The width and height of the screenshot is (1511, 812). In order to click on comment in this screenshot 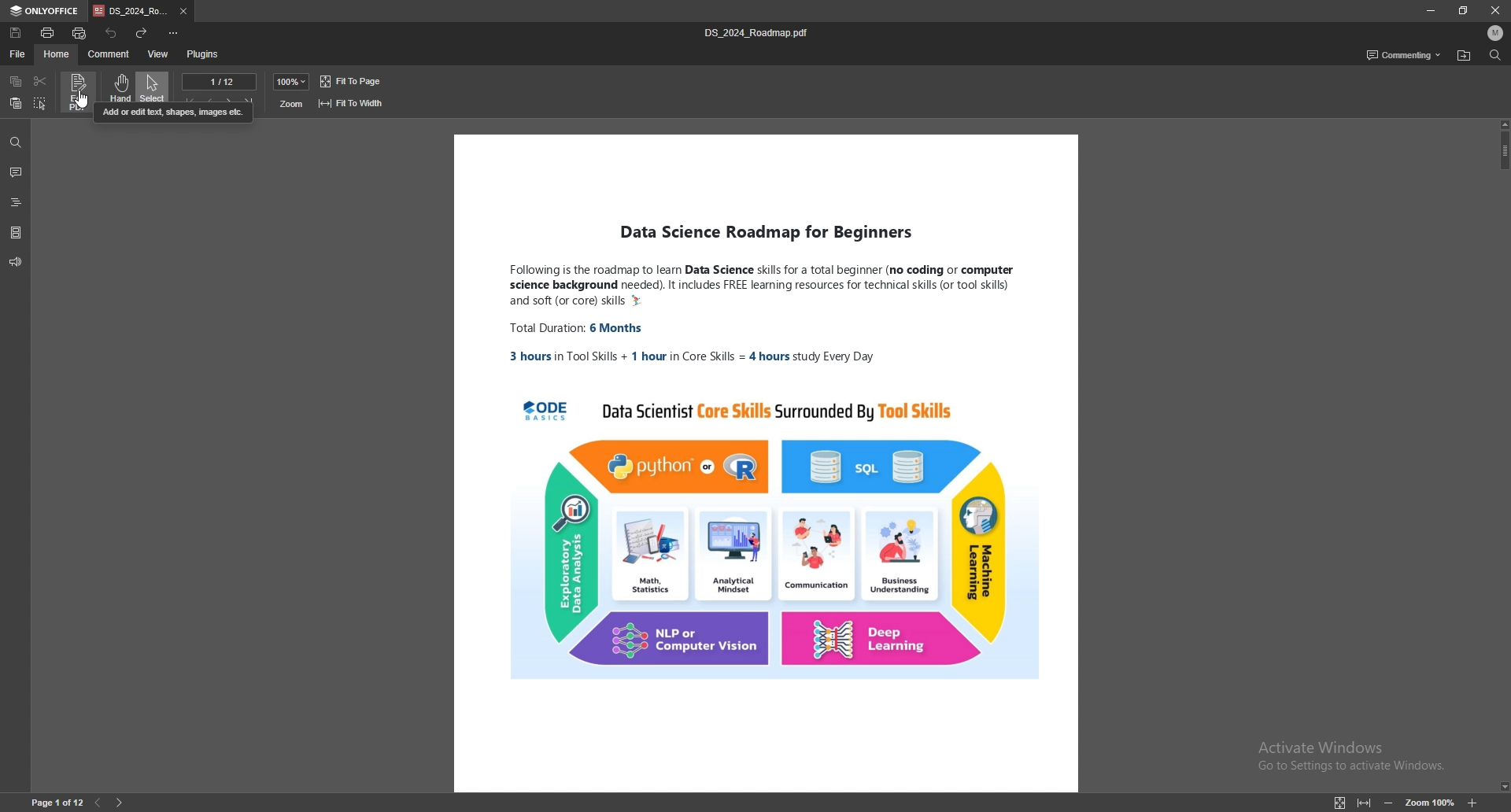, I will do `click(110, 54)`.